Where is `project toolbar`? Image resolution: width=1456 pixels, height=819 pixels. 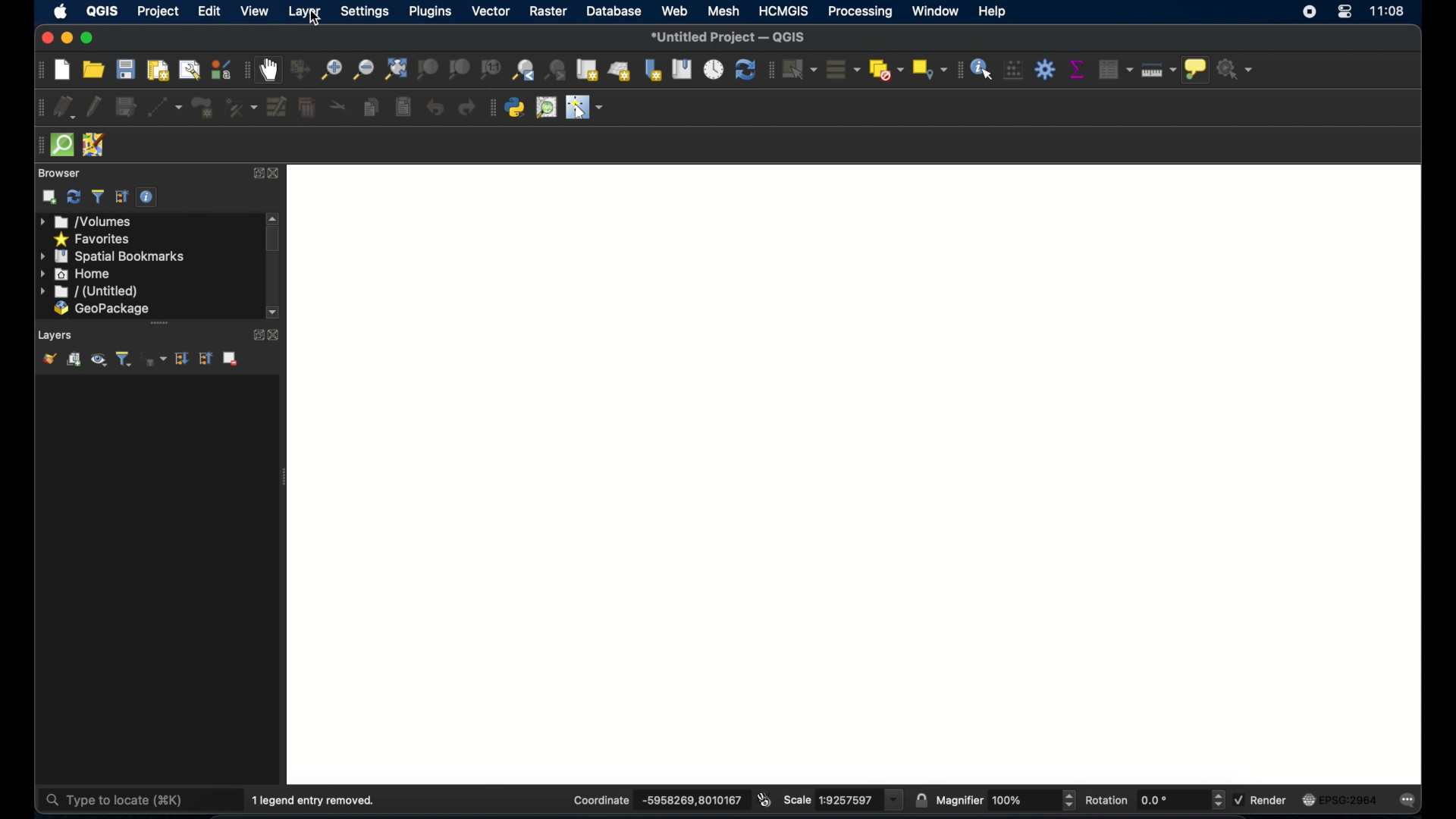 project toolbar is located at coordinates (37, 70).